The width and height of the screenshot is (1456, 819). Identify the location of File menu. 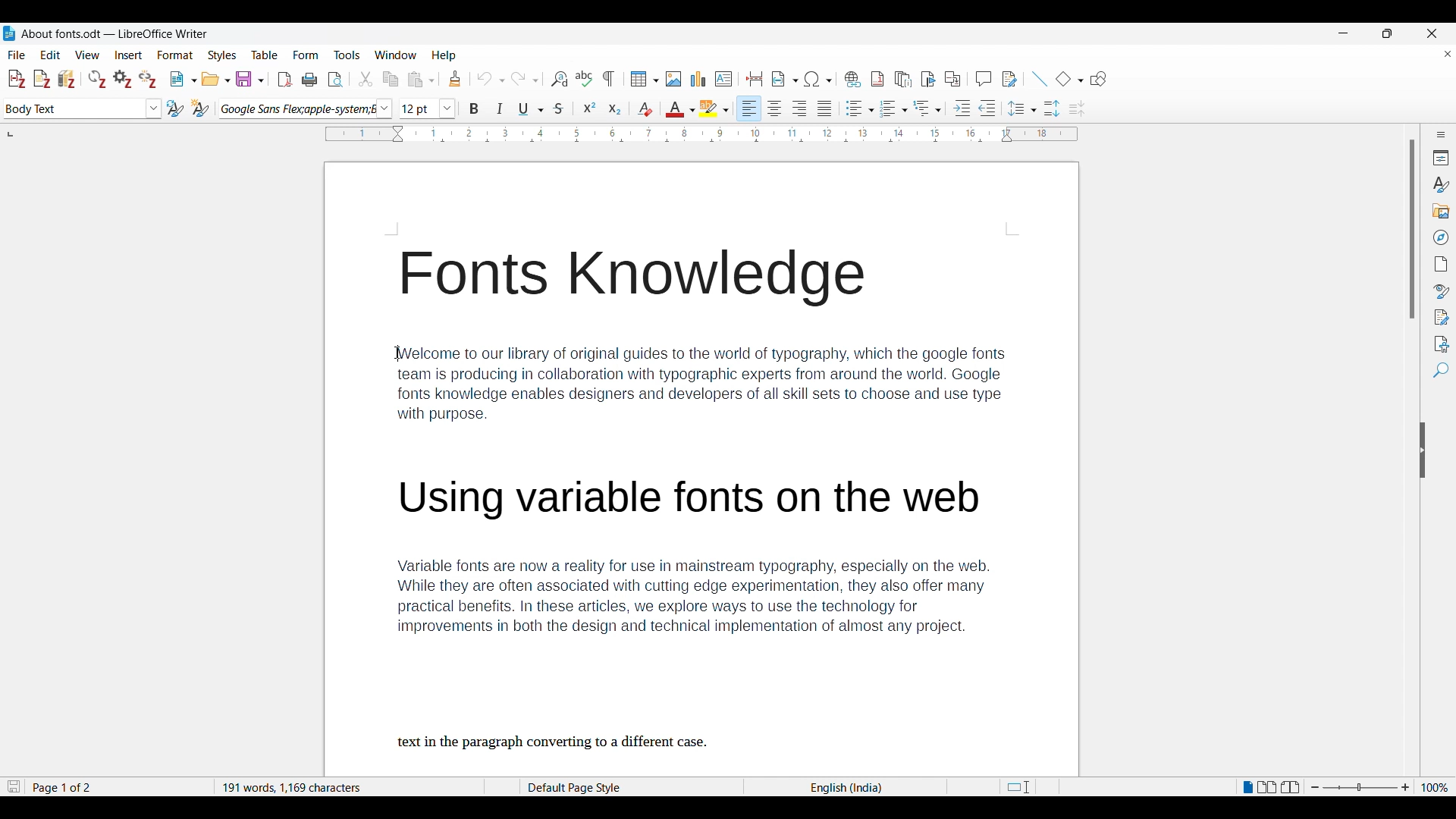
(16, 55).